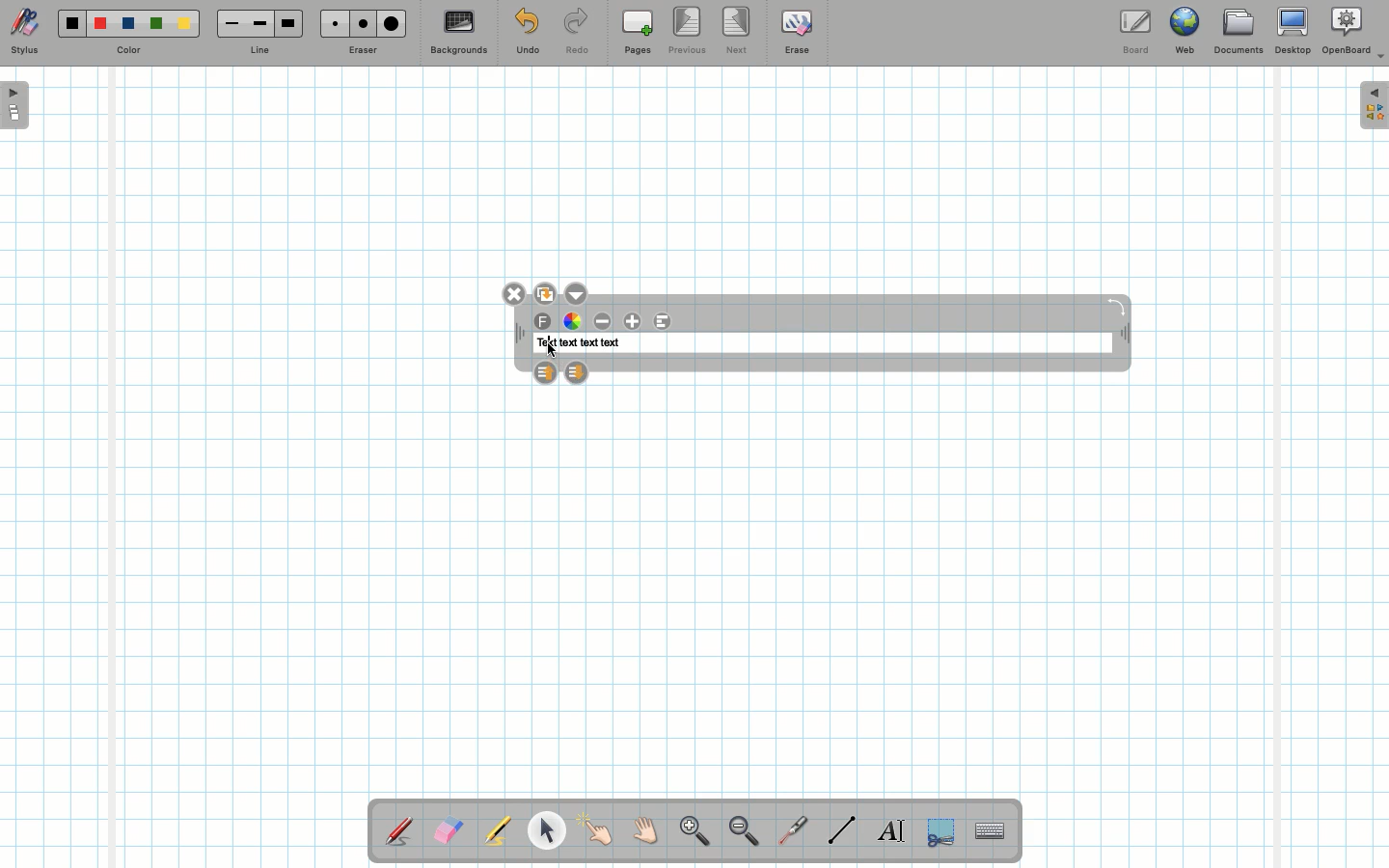 Image resolution: width=1389 pixels, height=868 pixels. I want to click on Previous, so click(689, 32).